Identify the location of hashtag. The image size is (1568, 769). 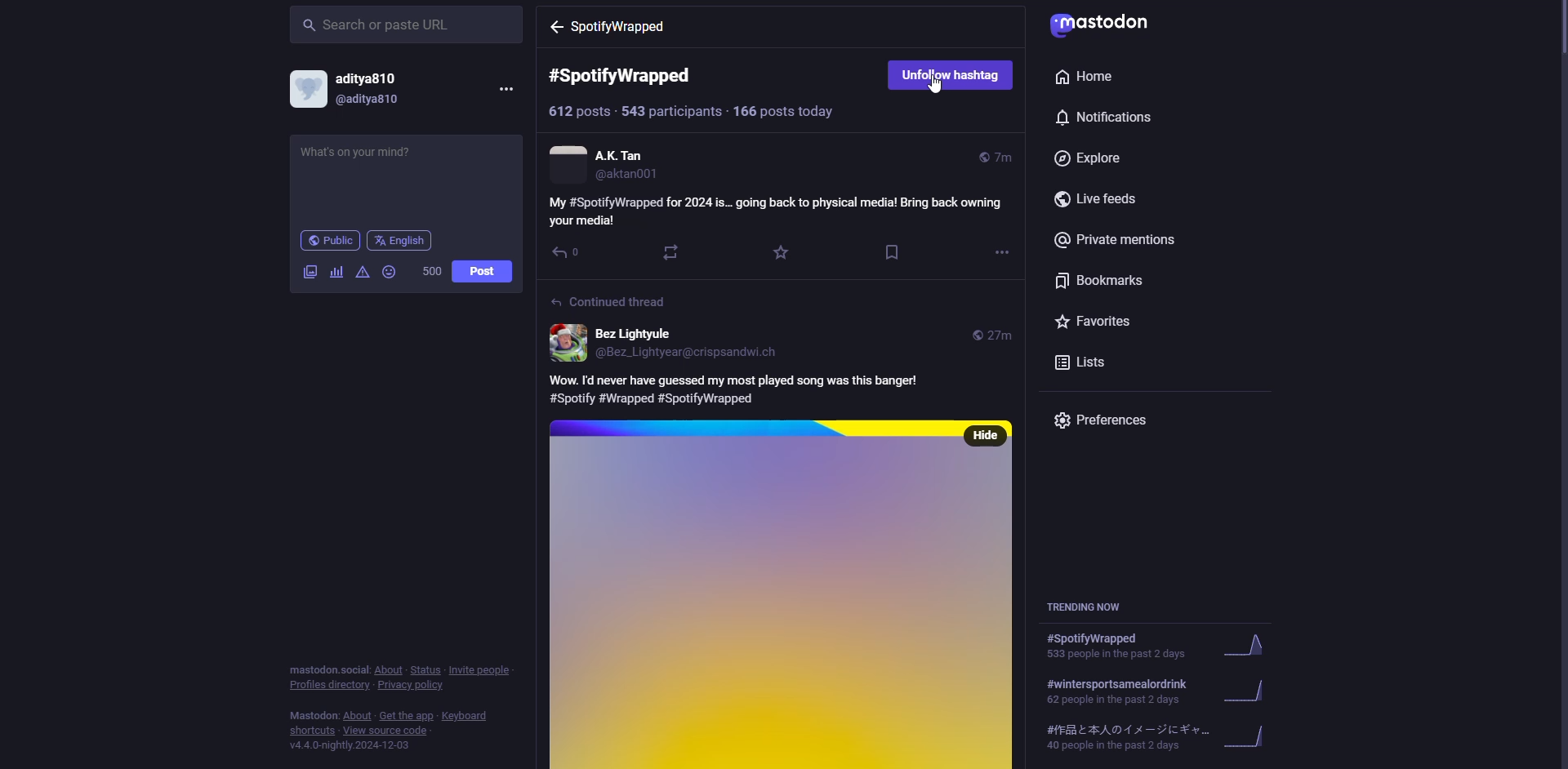
(614, 27).